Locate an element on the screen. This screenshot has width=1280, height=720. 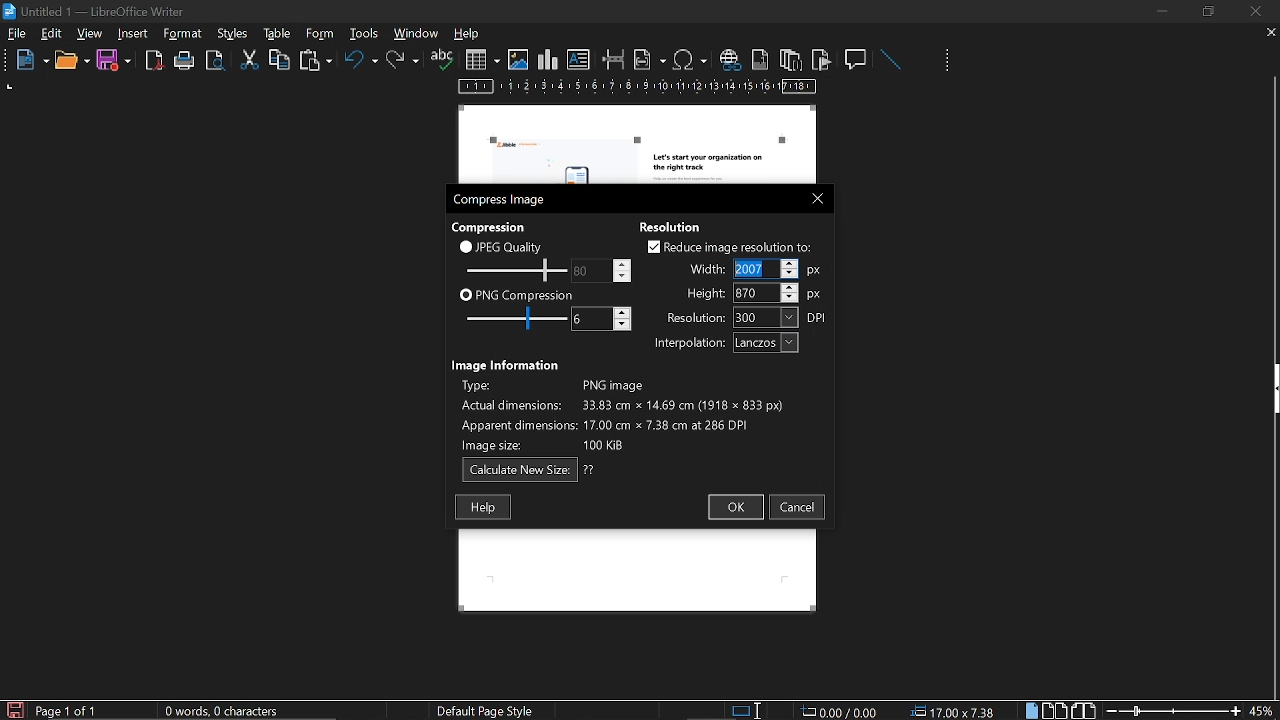
height is located at coordinates (754, 292).